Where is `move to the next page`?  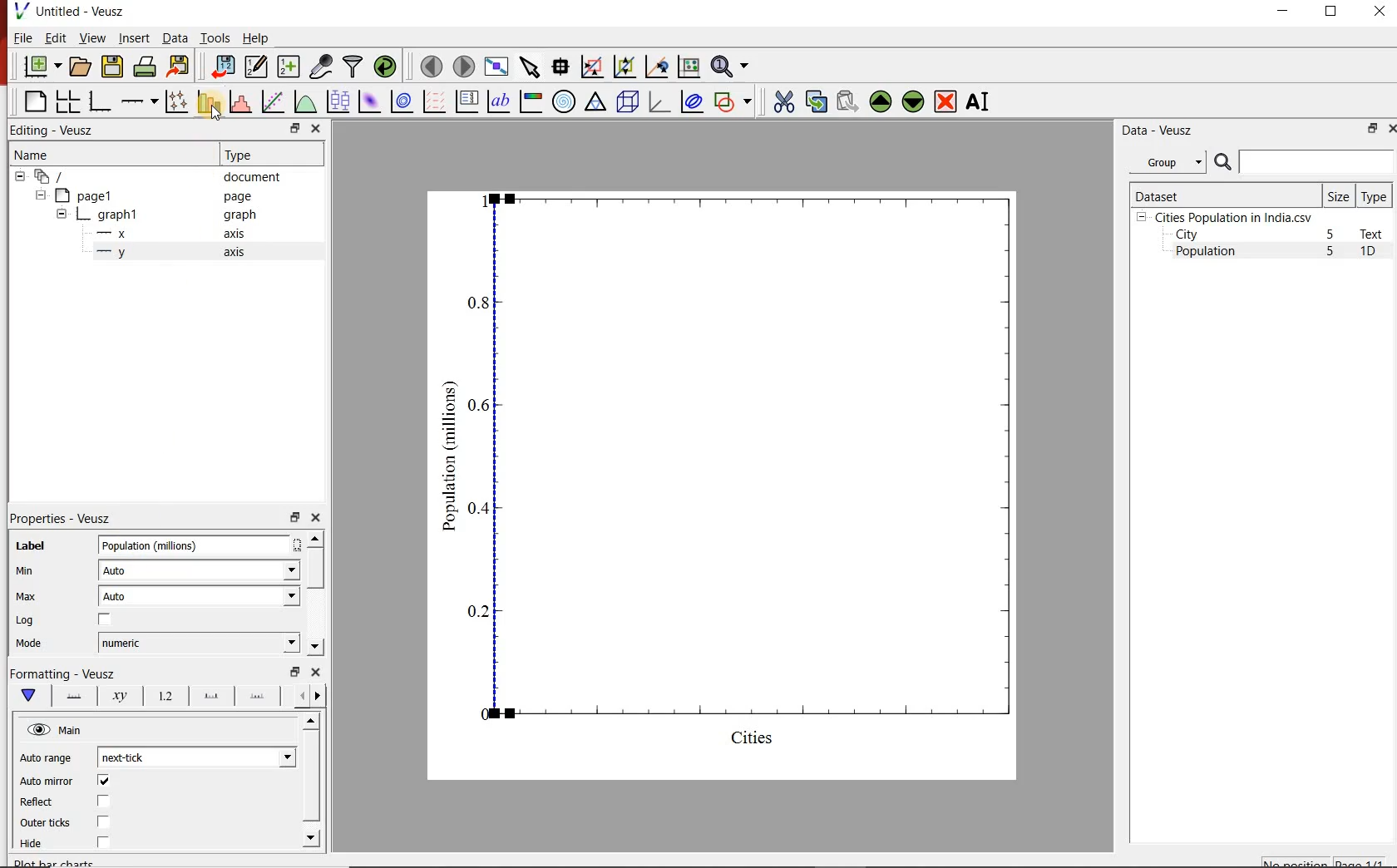
move to the next page is located at coordinates (462, 66).